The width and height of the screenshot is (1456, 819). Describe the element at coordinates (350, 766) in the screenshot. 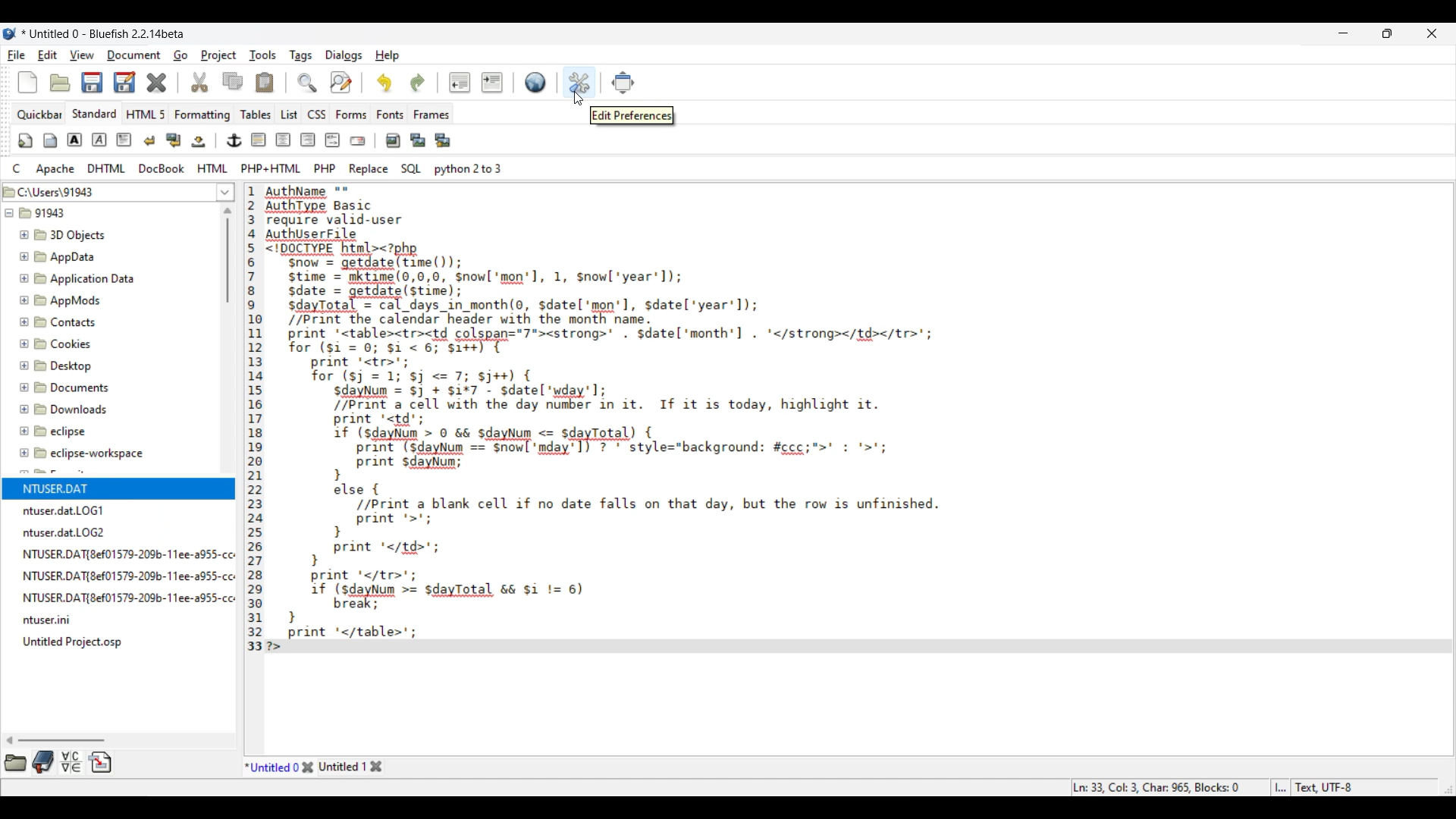

I see `Other tab` at that location.